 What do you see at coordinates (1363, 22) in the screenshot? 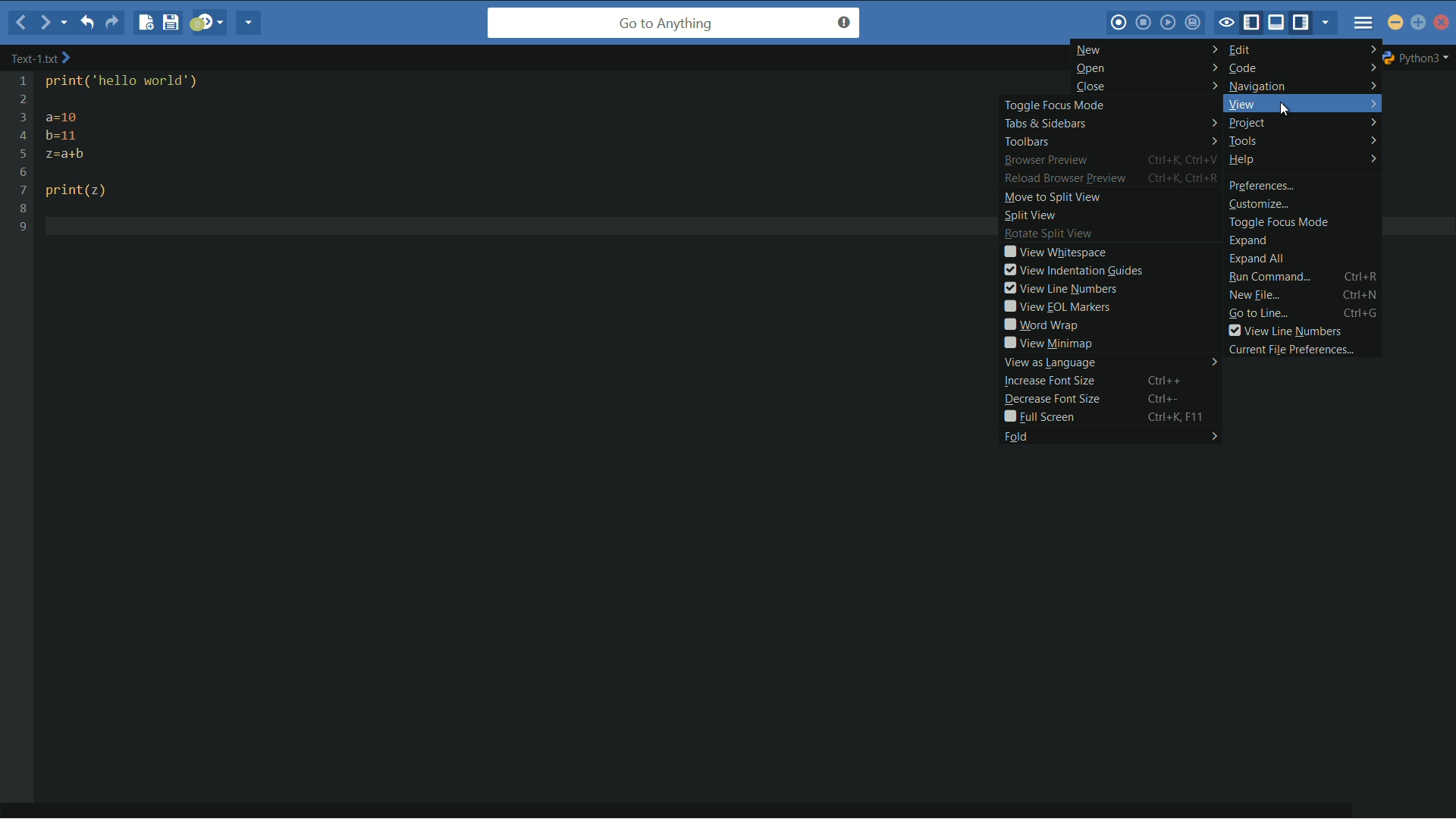
I see `menu` at bounding box center [1363, 22].